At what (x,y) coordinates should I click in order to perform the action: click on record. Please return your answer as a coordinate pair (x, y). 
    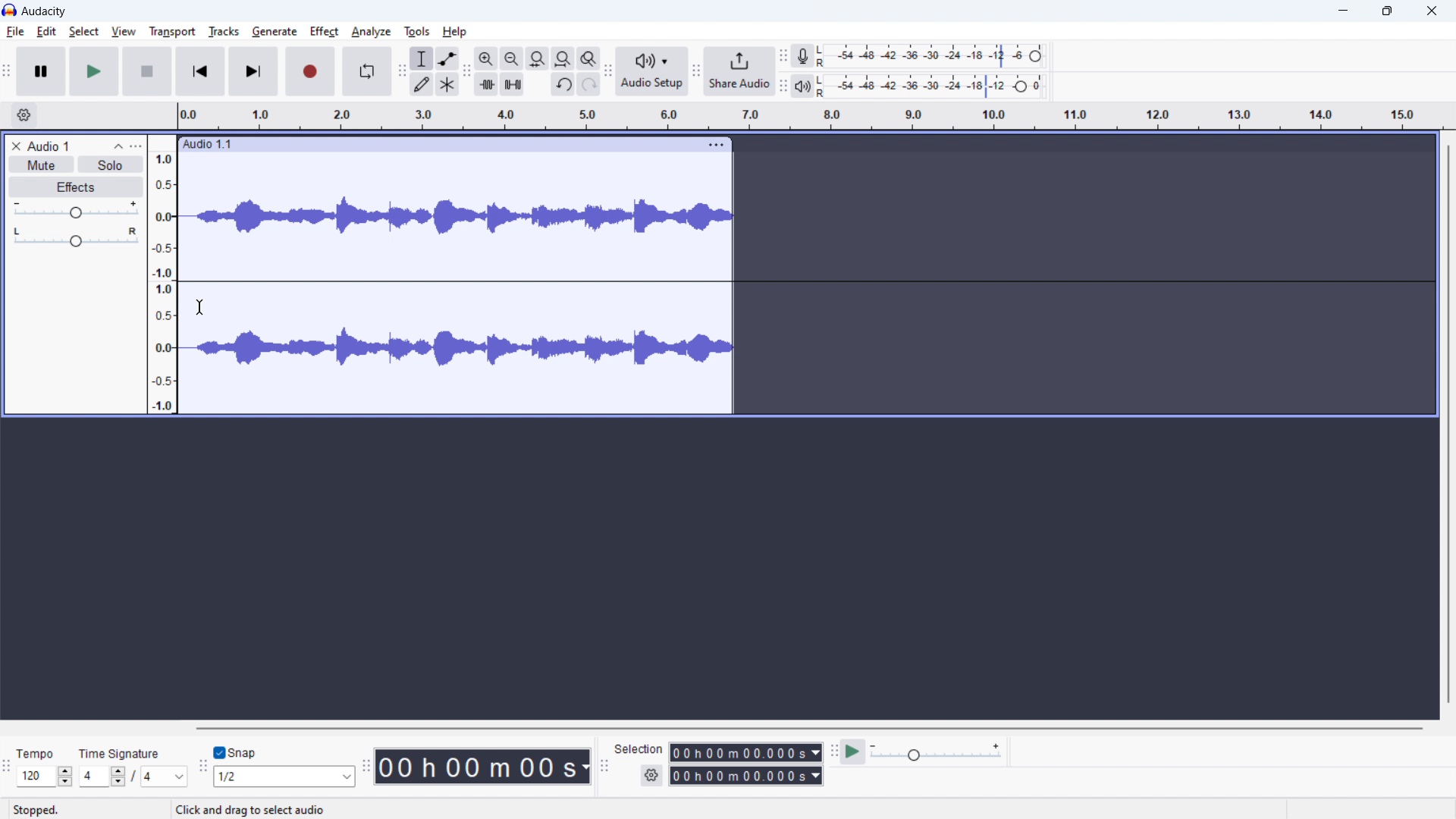
    Looking at the image, I should click on (309, 72).